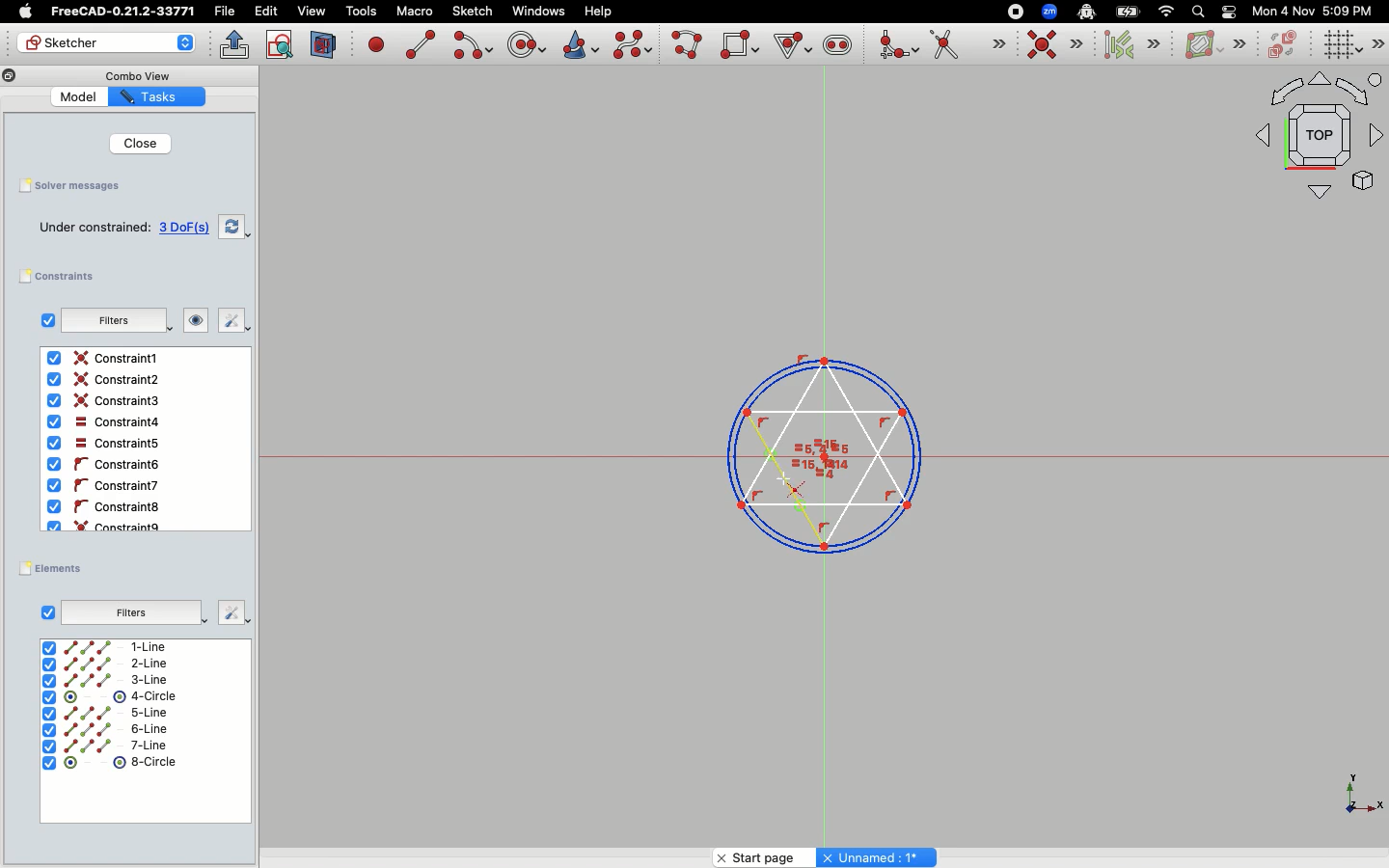  I want to click on File, so click(227, 12).